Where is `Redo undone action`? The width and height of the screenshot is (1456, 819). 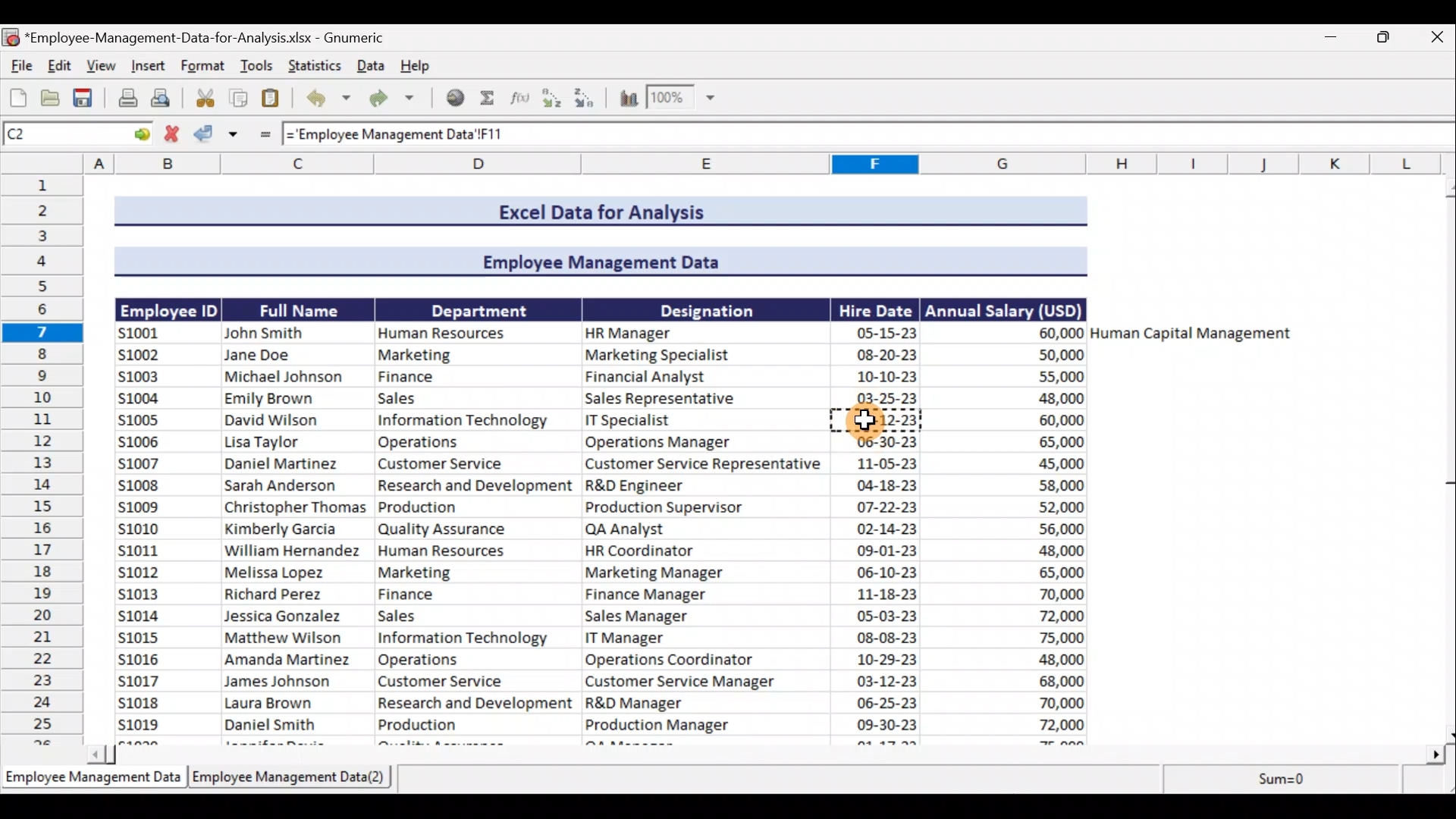
Redo undone action is located at coordinates (398, 102).